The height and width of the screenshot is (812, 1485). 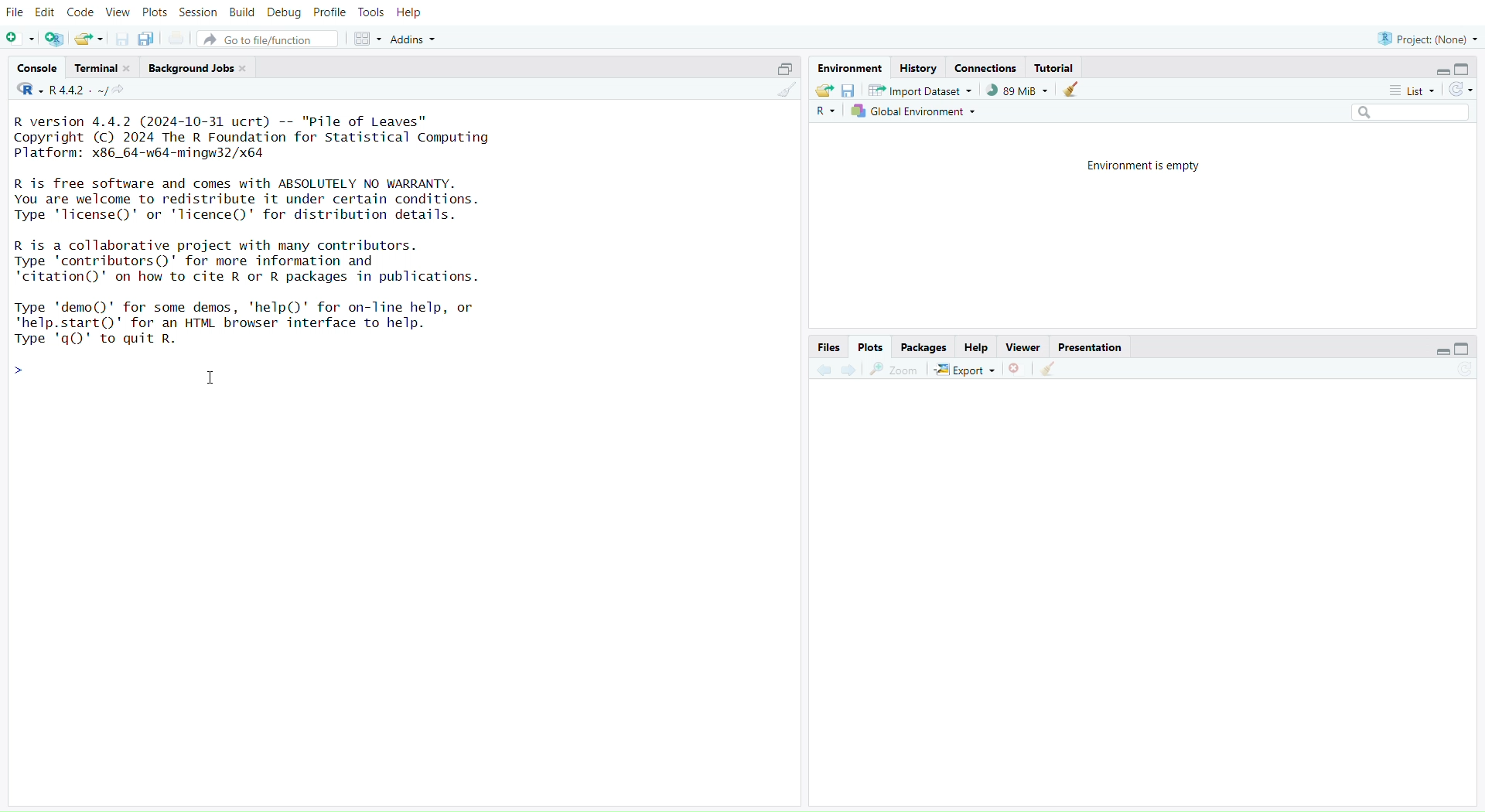 I want to click on Text cursor, so click(x=213, y=377).